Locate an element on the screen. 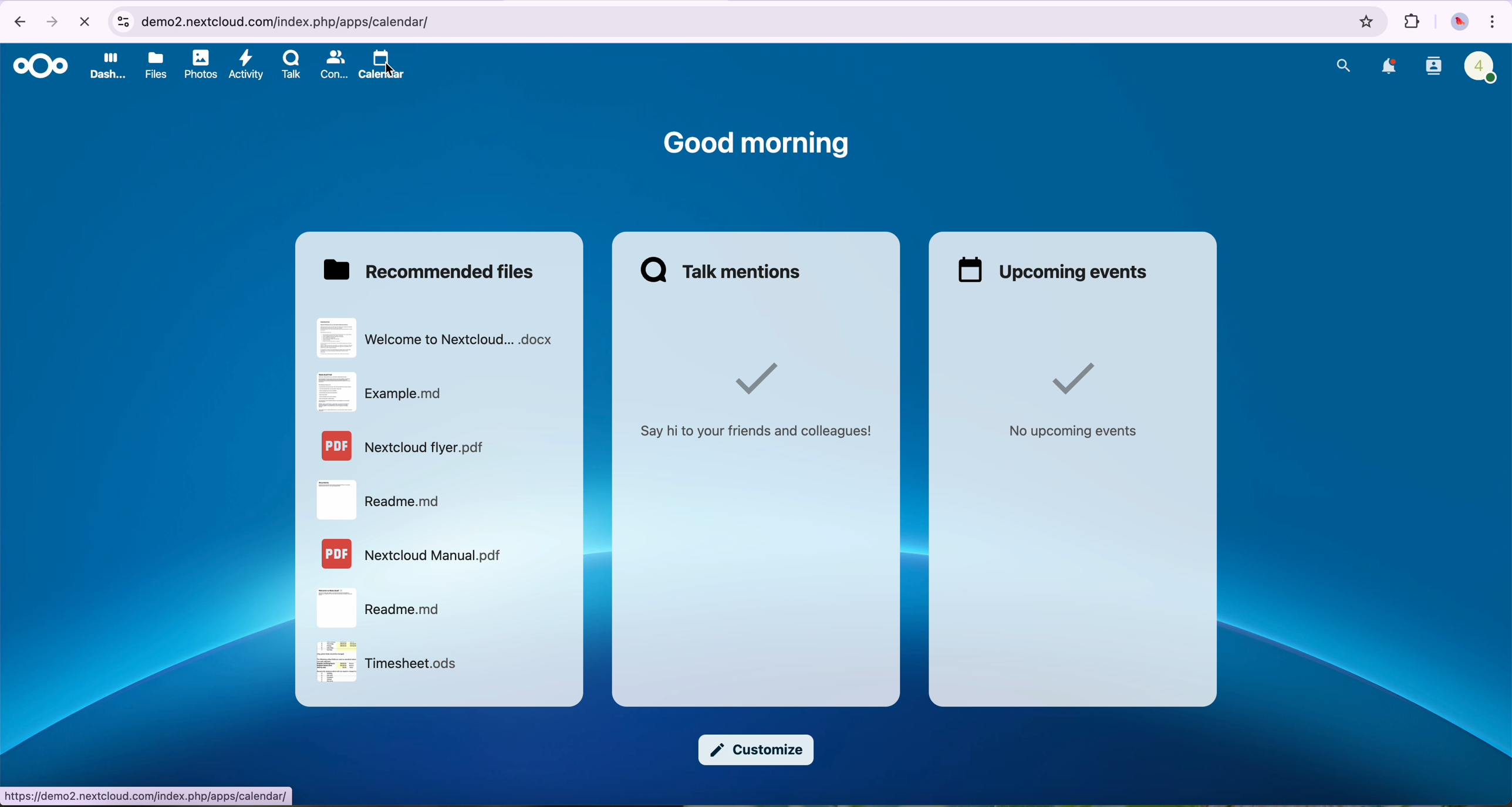 The image size is (1512, 807). file is located at coordinates (433, 339).